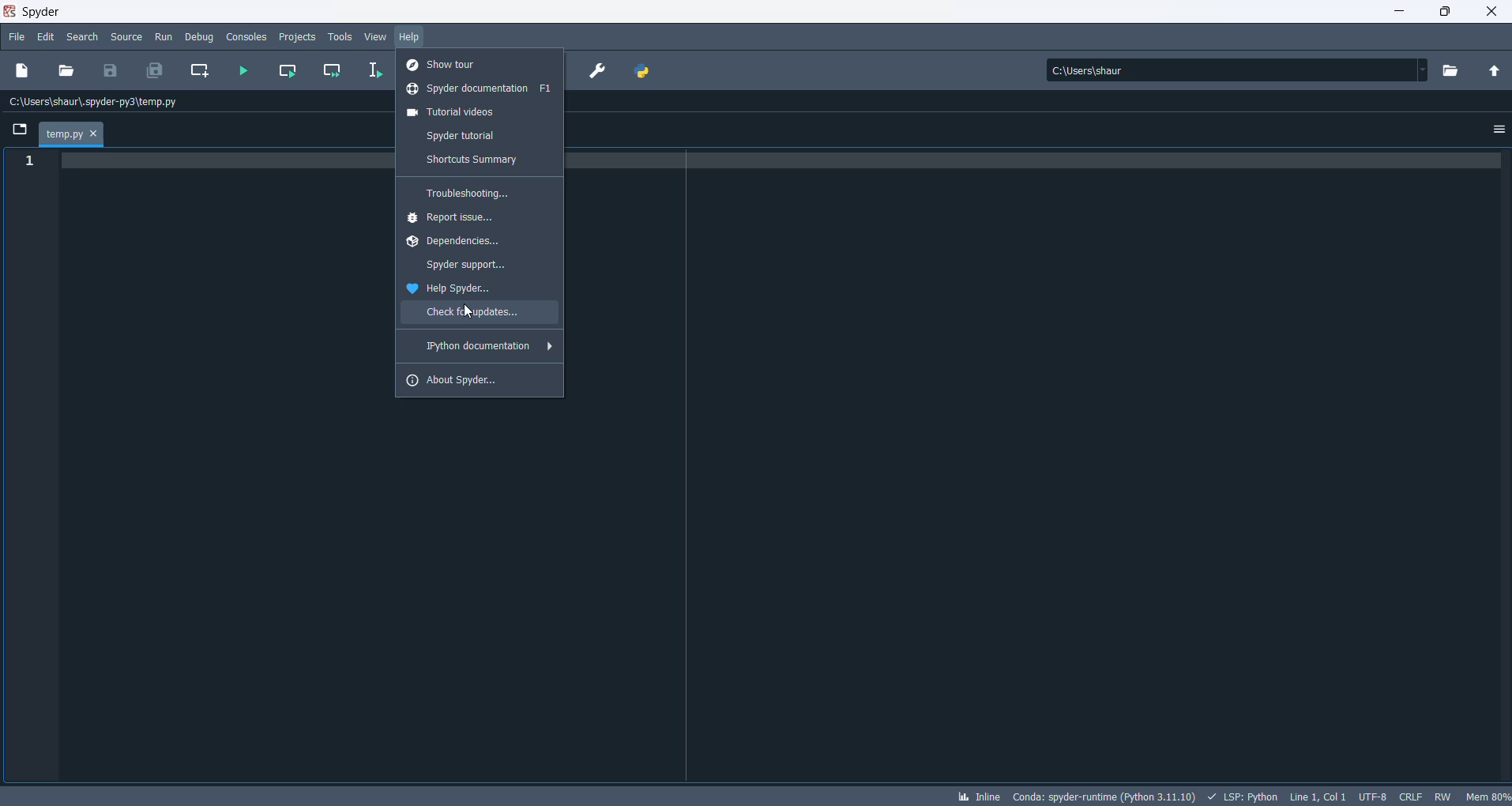 The width and height of the screenshot is (1512, 806). I want to click on tutorial videos, so click(480, 113).